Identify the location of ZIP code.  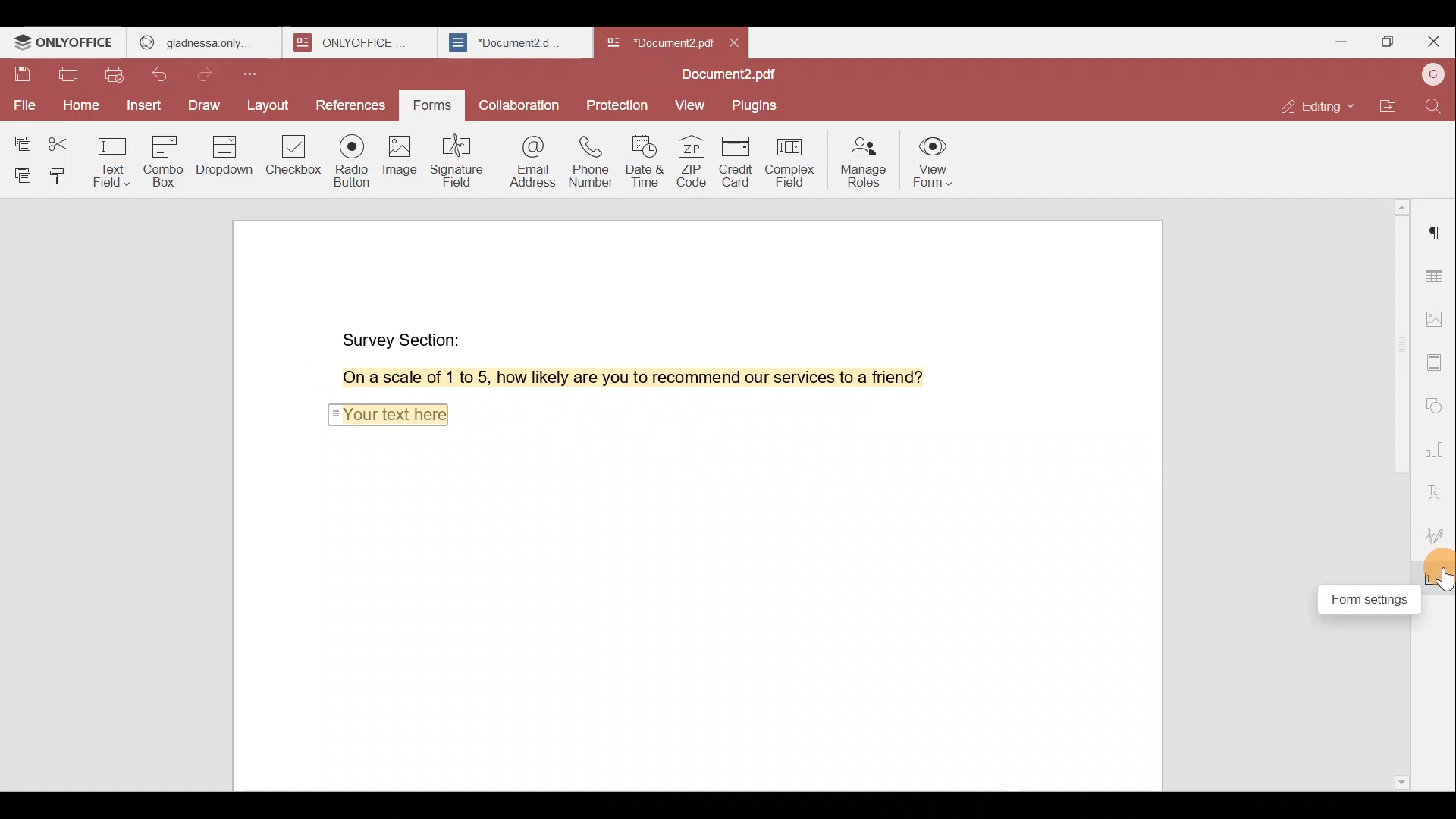
(693, 160).